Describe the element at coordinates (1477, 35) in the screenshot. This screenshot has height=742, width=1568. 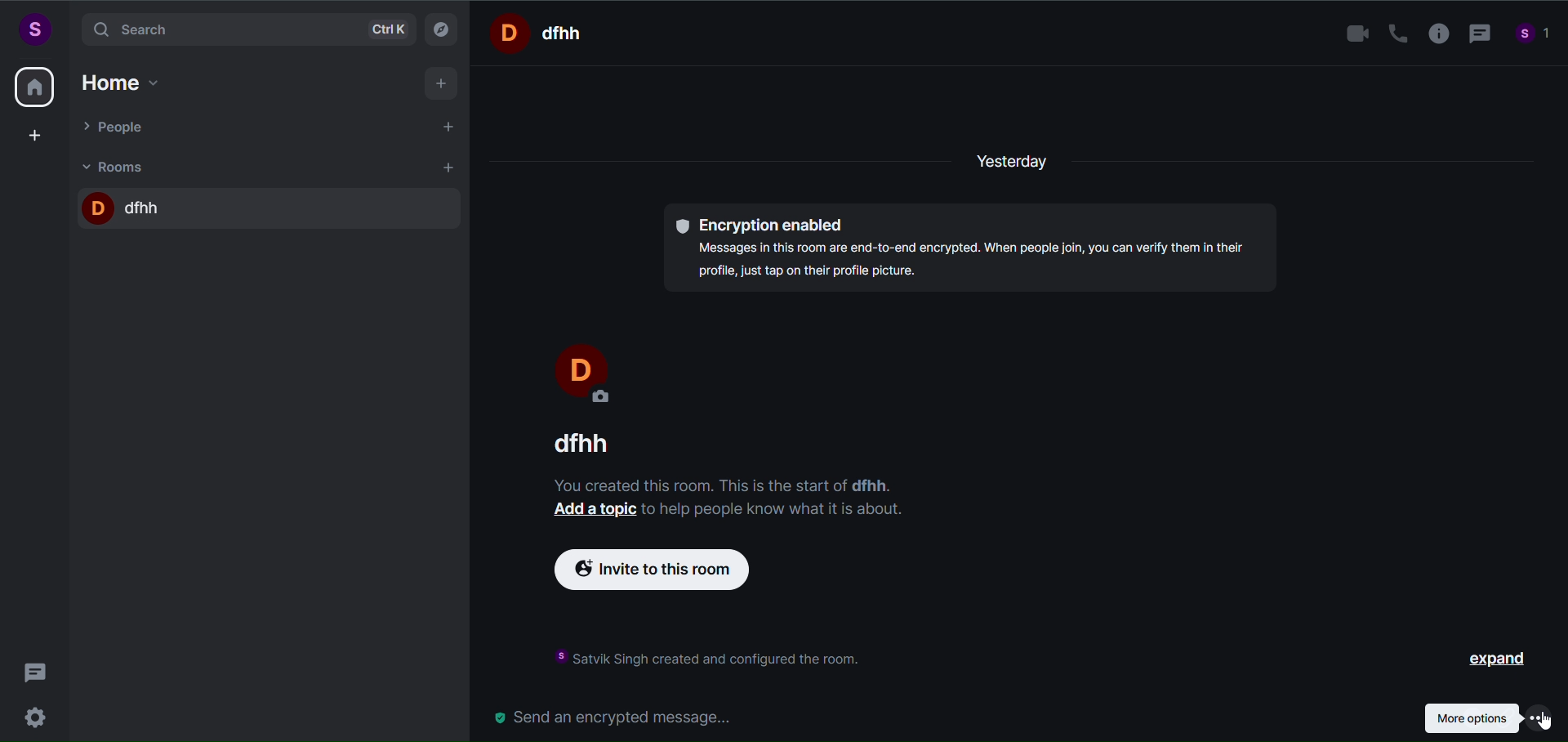
I see `thread` at that location.